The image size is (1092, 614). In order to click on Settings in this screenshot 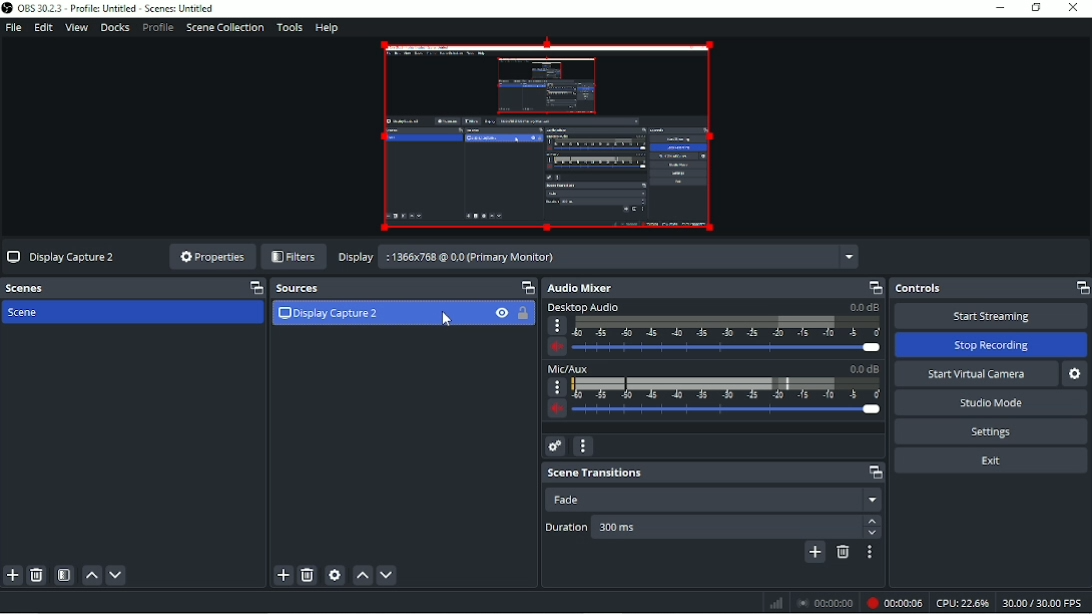, I will do `click(992, 432)`.